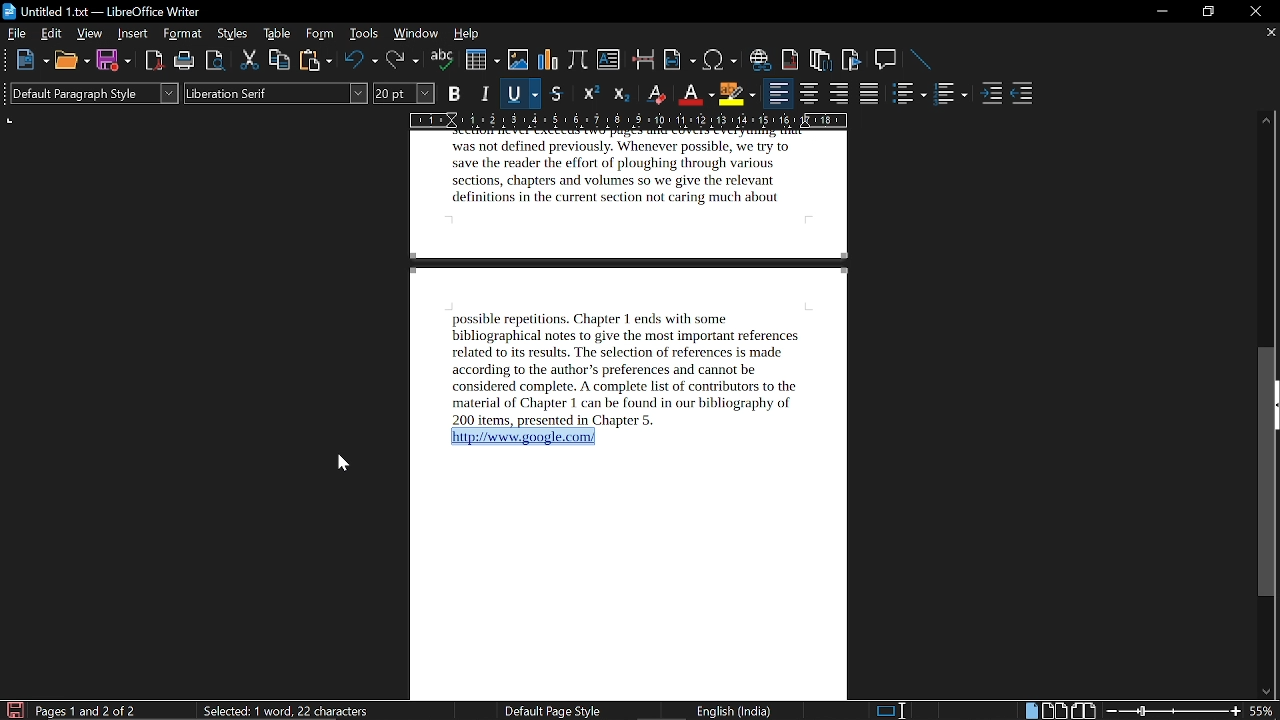 This screenshot has width=1280, height=720. I want to click on minimize, so click(1162, 12).